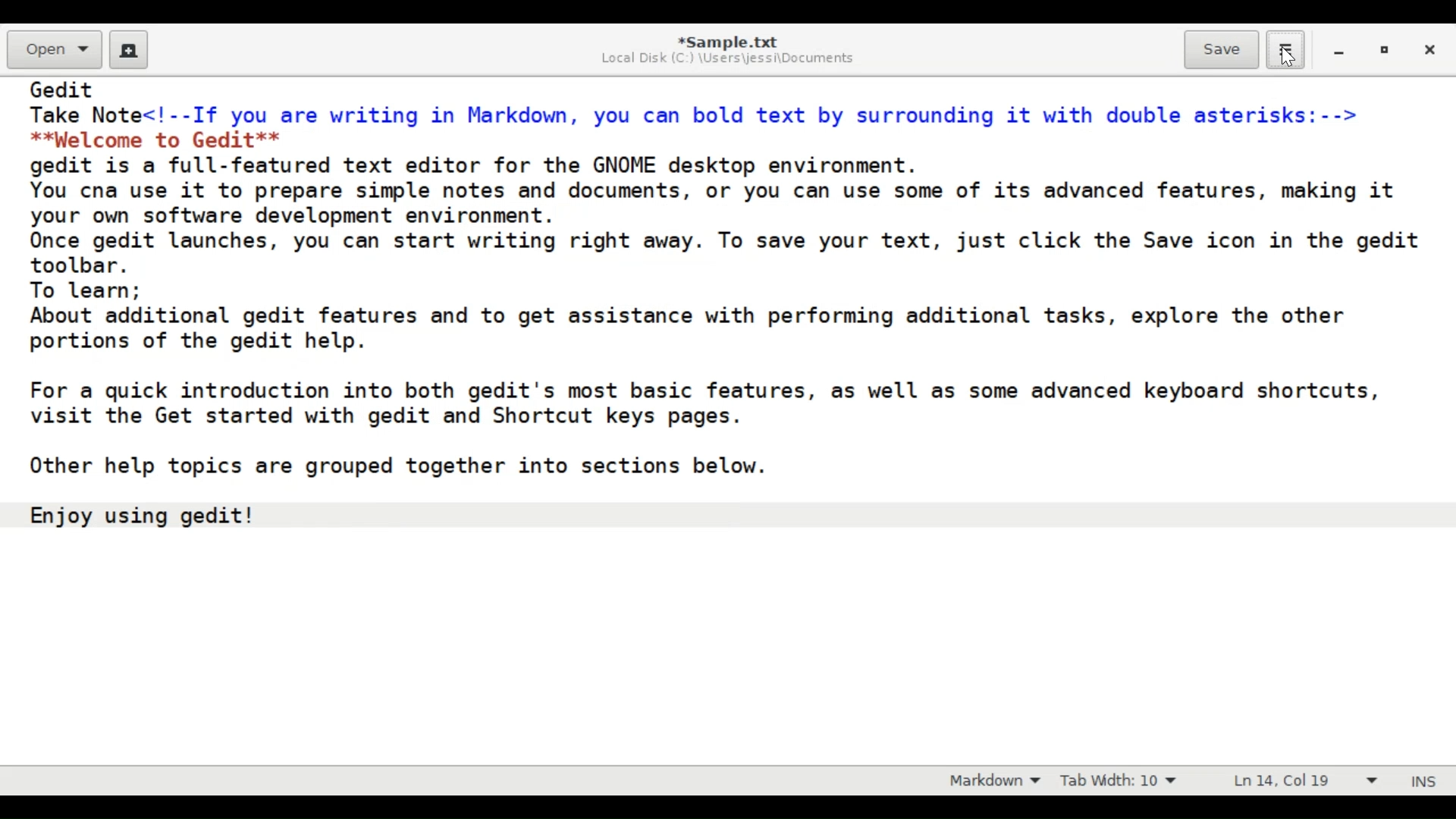 The width and height of the screenshot is (1456, 819). What do you see at coordinates (1432, 52) in the screenshot?
I see `Close` at bounding box center [1432, 52].